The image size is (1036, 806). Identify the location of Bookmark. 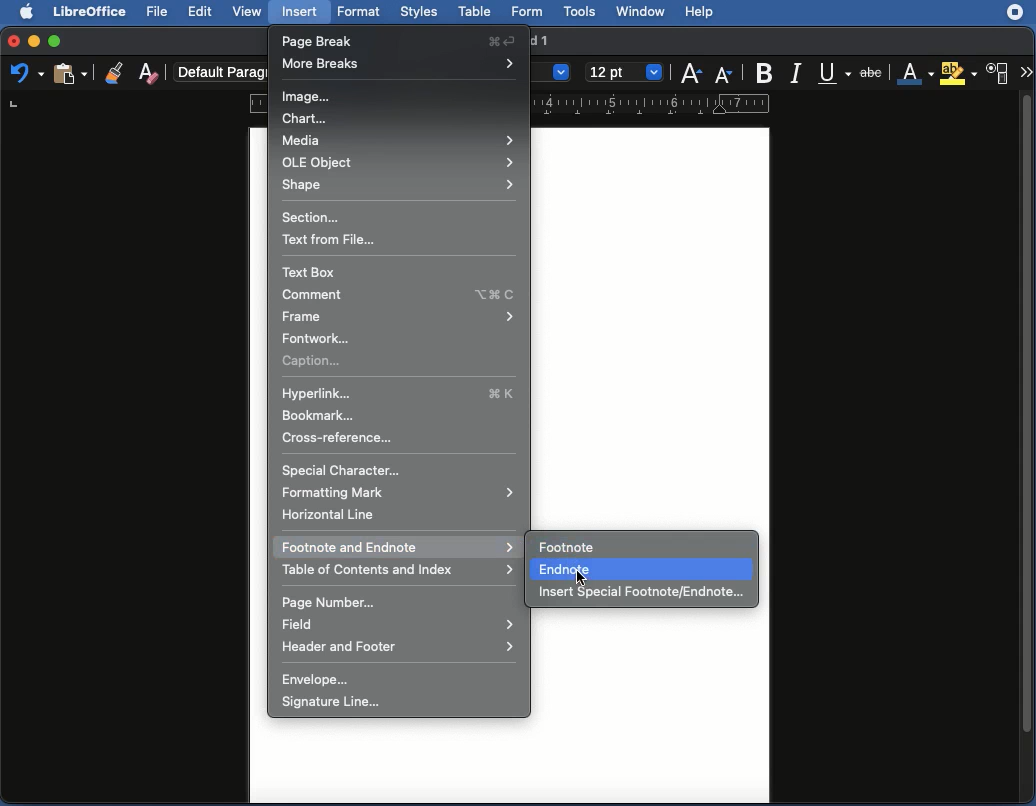
(323, 415).